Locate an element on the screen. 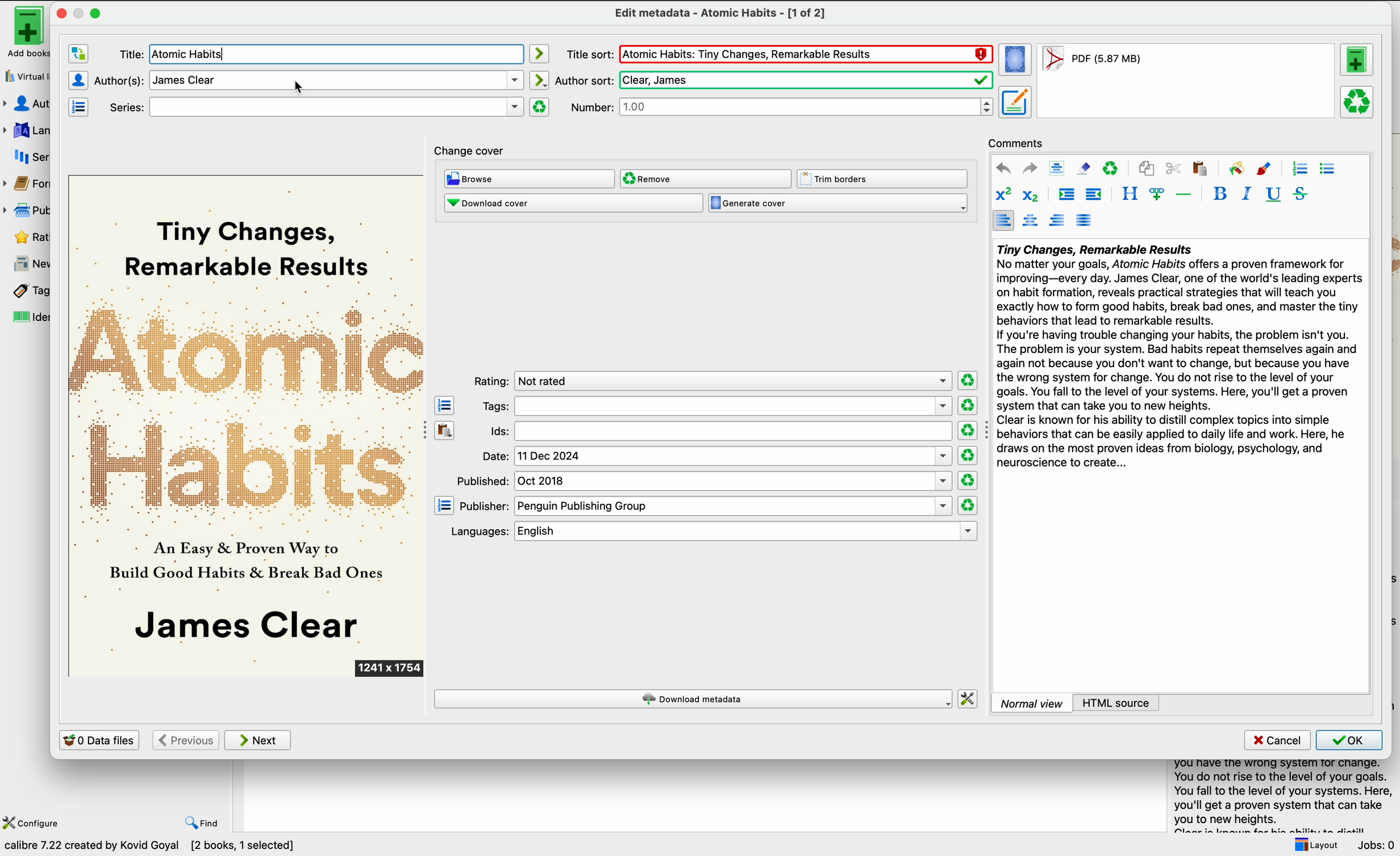 Image resolution: width=1400 pixels, height=856 pixels. open the manage publisher editor is located at coordinates (444, 505).